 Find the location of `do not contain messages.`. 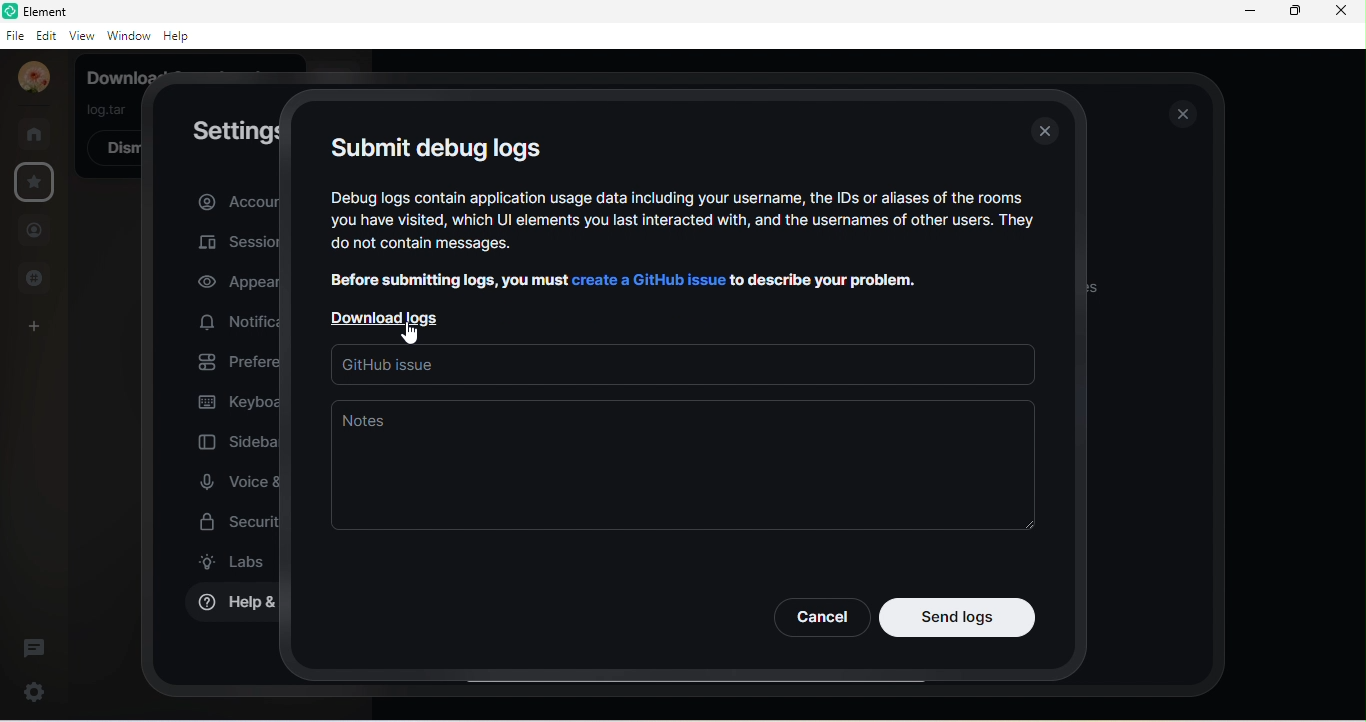

do not contain messages. is located at coordinates (461, 246).